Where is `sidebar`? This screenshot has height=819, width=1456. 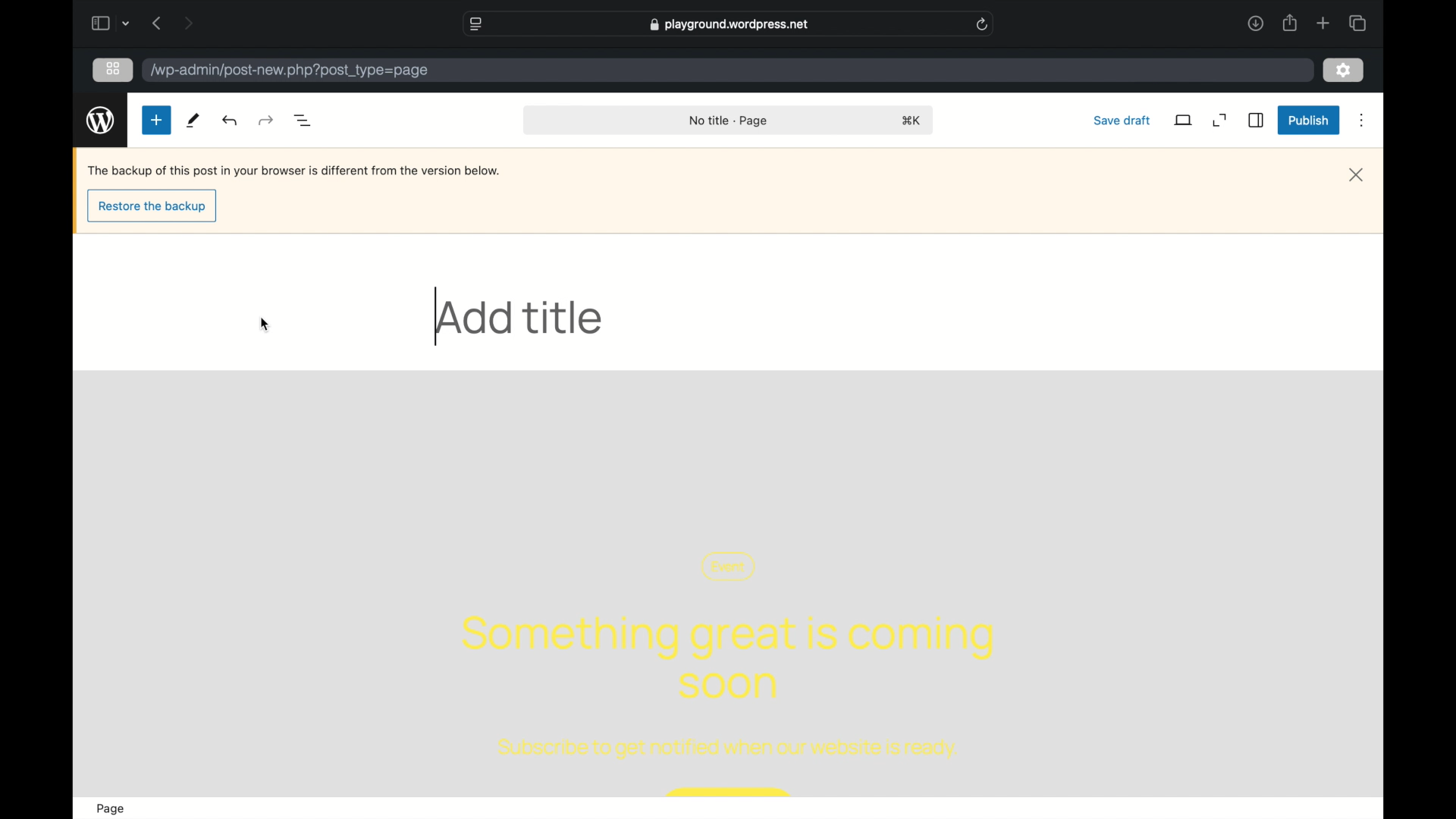
sidebar is located at coordinates (99, 23).